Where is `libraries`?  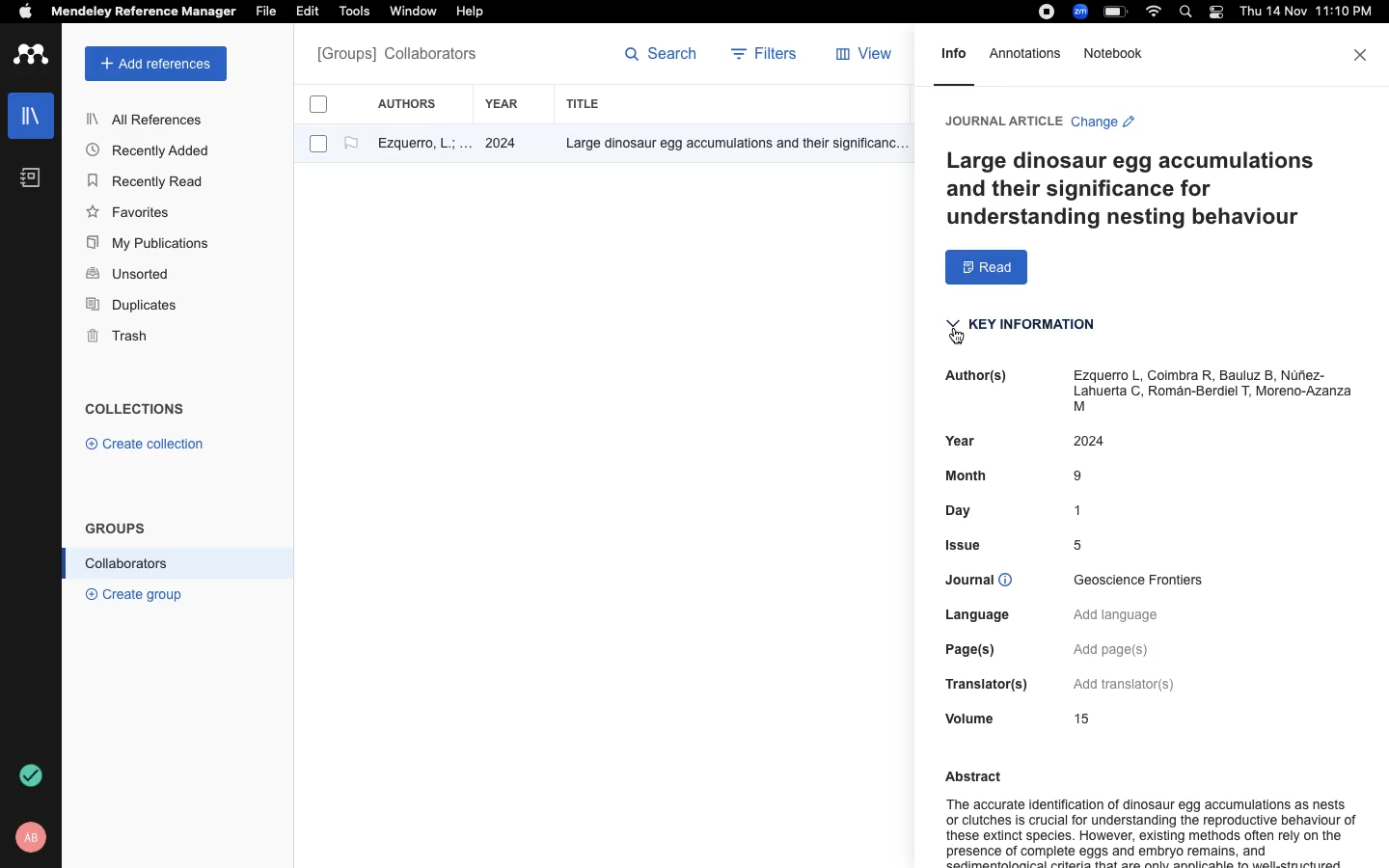
libraries is located at coordinates (29, 114).